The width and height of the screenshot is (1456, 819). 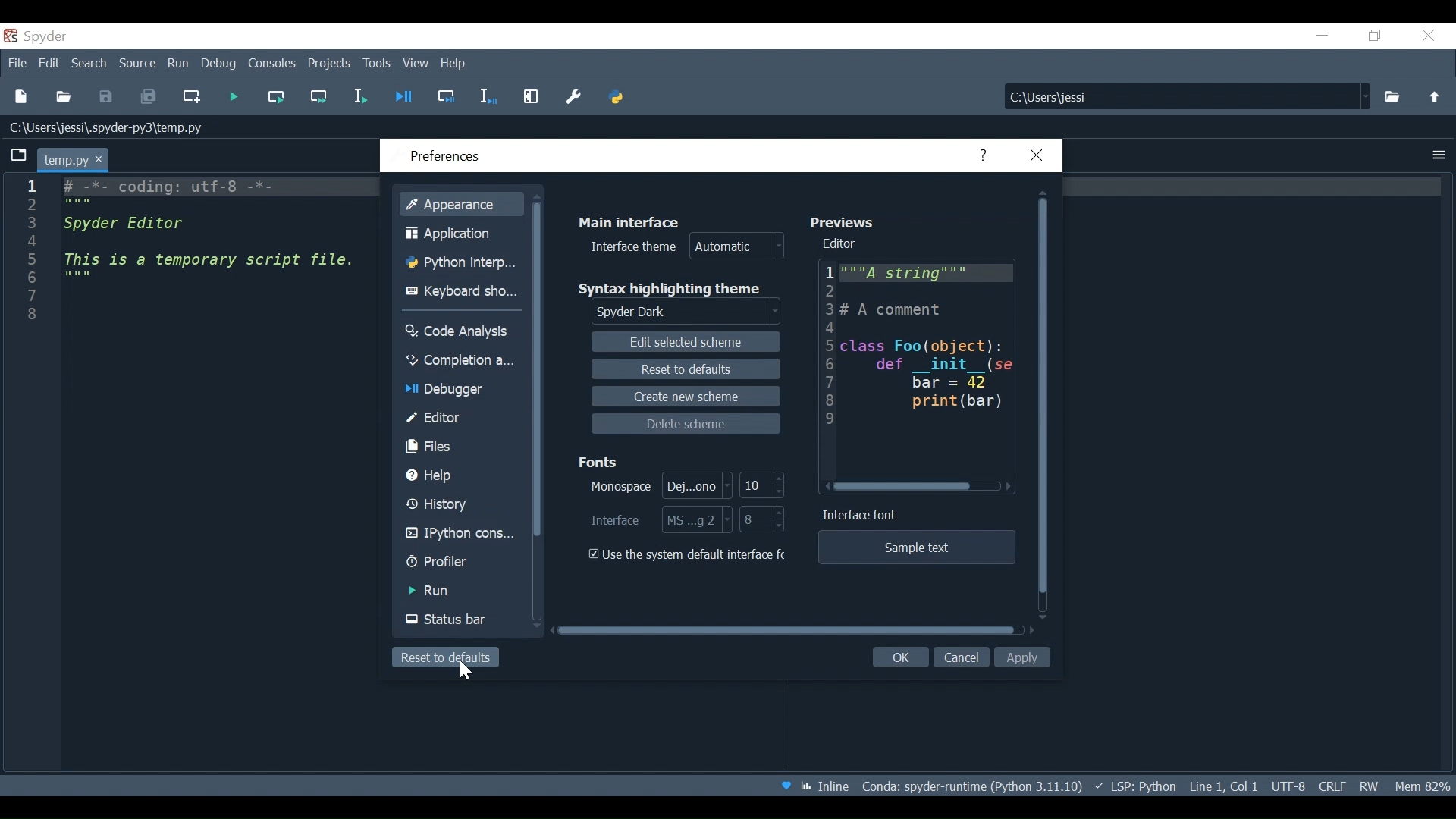 What do you see at coordinates (461, 262) in the screenshot?
I see `Python interpreter` at bounding box center [461, 262].